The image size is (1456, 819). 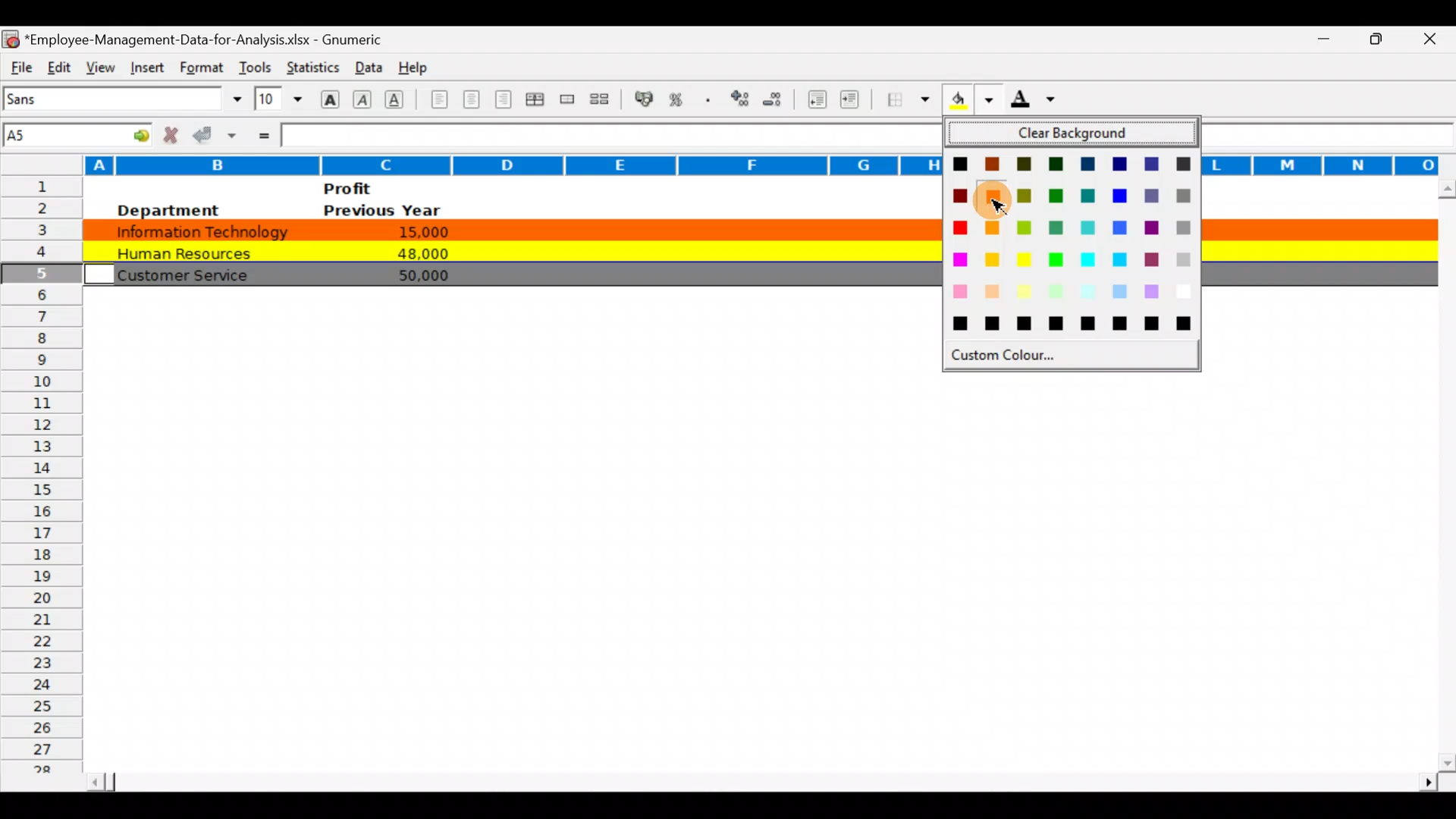 What do you see at coordinates (362, 101) in the screenshot?
I see `Italic` at bounding box center [362, 101].